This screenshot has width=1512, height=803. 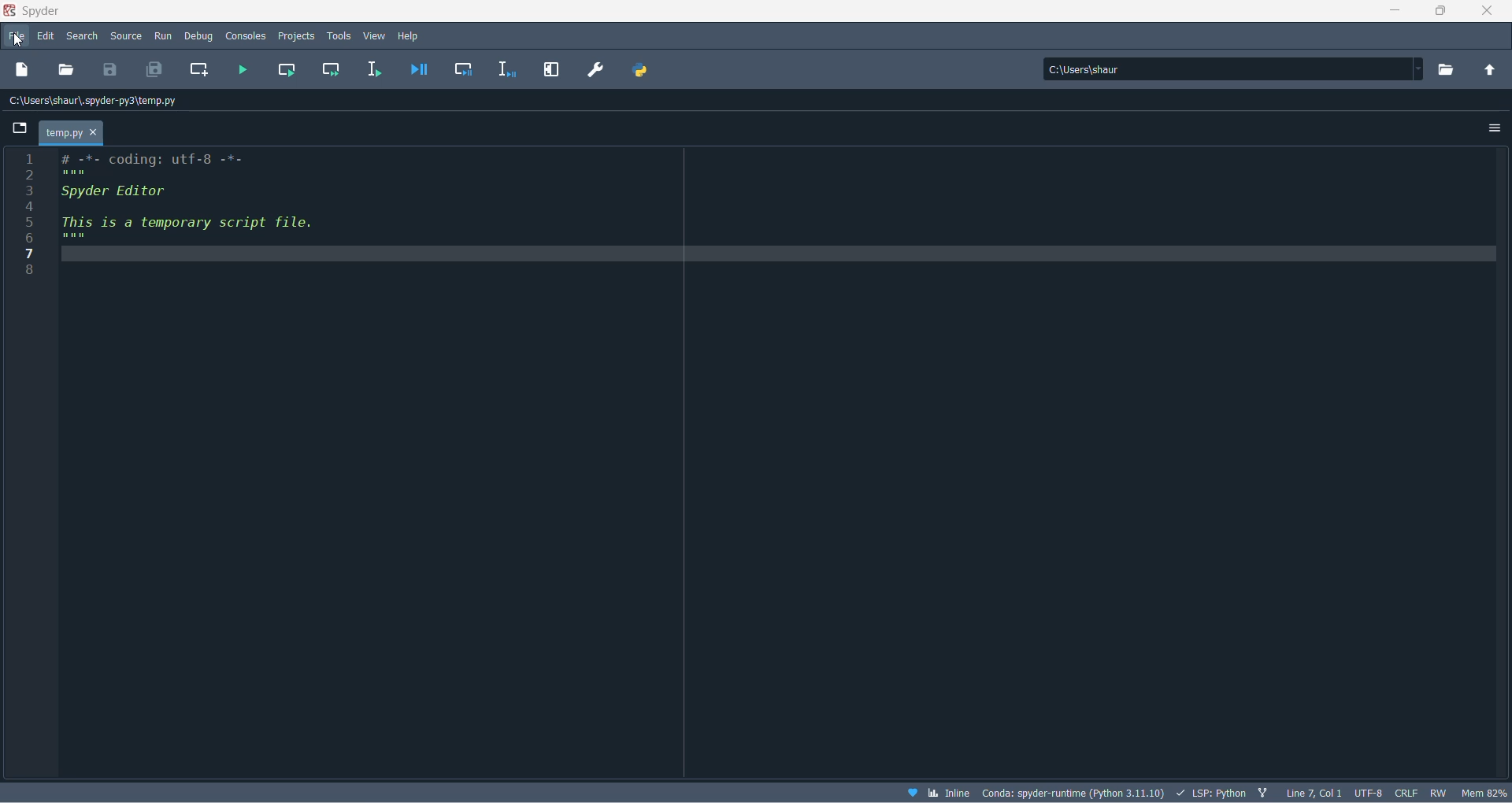 What do you see at coordinates (247, 36) in the screenshot?
I see `consoles` at bounding box center [247, 36].